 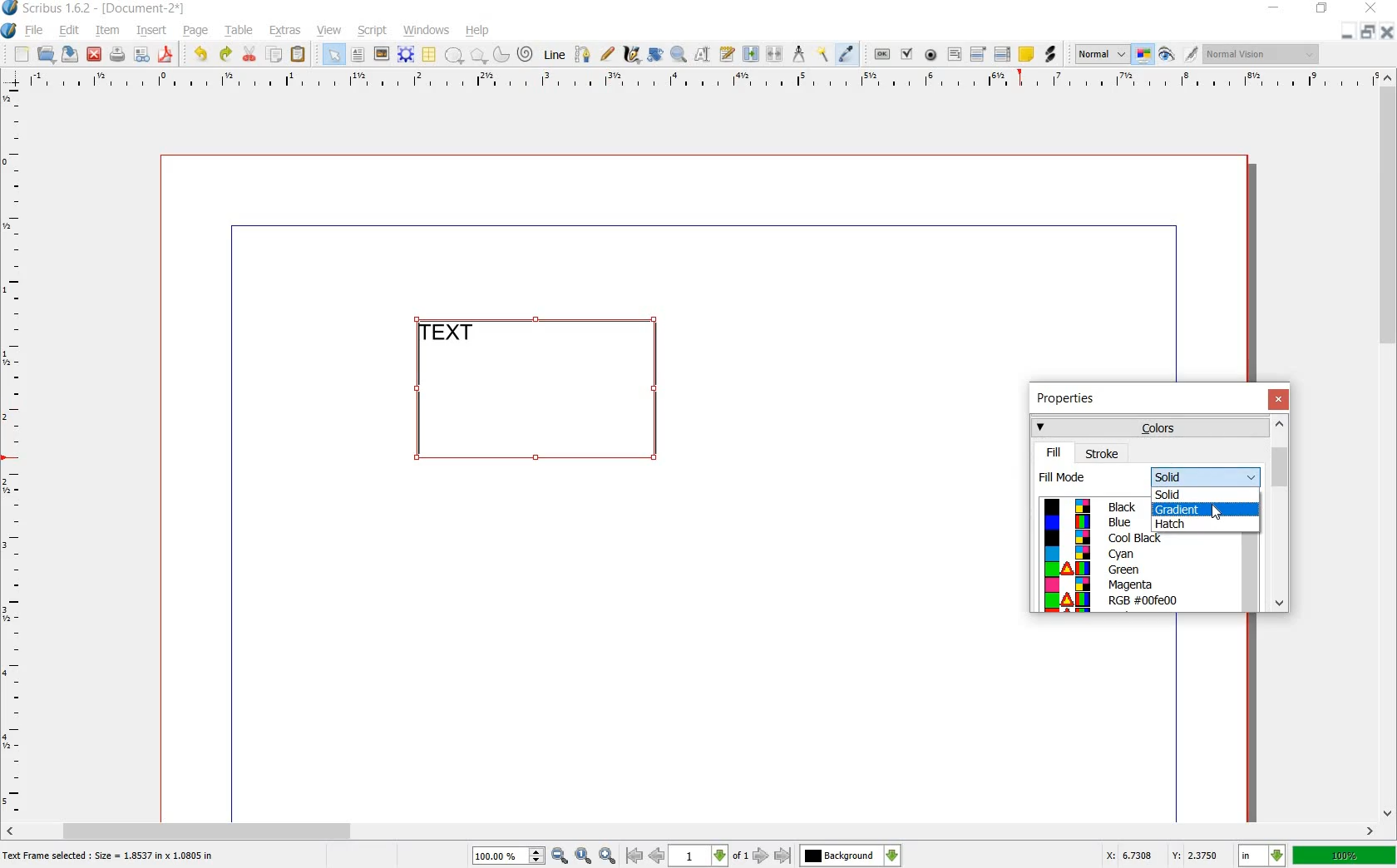 What do you see at coordinates (1389, 446) in the screenshot?
I see `scroll bar` at bounding box center [1389, 446].